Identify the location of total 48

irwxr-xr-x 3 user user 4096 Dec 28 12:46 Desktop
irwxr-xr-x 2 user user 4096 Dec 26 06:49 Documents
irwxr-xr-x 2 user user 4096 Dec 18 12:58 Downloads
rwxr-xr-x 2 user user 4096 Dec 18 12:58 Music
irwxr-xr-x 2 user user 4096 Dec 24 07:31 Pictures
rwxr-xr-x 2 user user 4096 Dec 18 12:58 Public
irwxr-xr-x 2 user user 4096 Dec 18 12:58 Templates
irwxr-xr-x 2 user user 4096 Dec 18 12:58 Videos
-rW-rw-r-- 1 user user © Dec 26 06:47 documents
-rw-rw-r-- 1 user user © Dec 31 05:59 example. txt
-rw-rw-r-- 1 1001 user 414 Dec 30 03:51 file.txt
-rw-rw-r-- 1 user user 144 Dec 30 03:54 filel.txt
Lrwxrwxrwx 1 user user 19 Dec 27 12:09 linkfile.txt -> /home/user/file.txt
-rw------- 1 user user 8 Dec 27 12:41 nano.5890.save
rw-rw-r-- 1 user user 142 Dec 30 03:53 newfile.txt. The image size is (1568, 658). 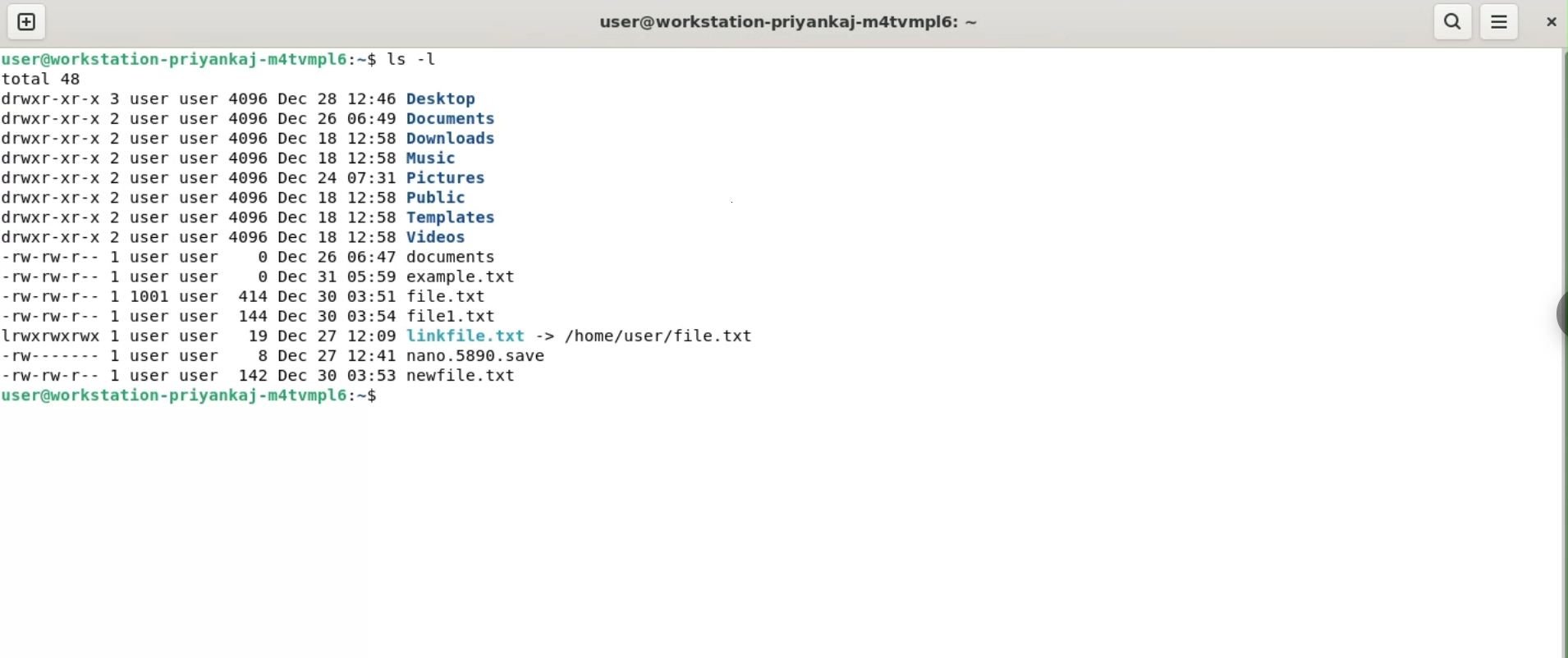
(386, 227).